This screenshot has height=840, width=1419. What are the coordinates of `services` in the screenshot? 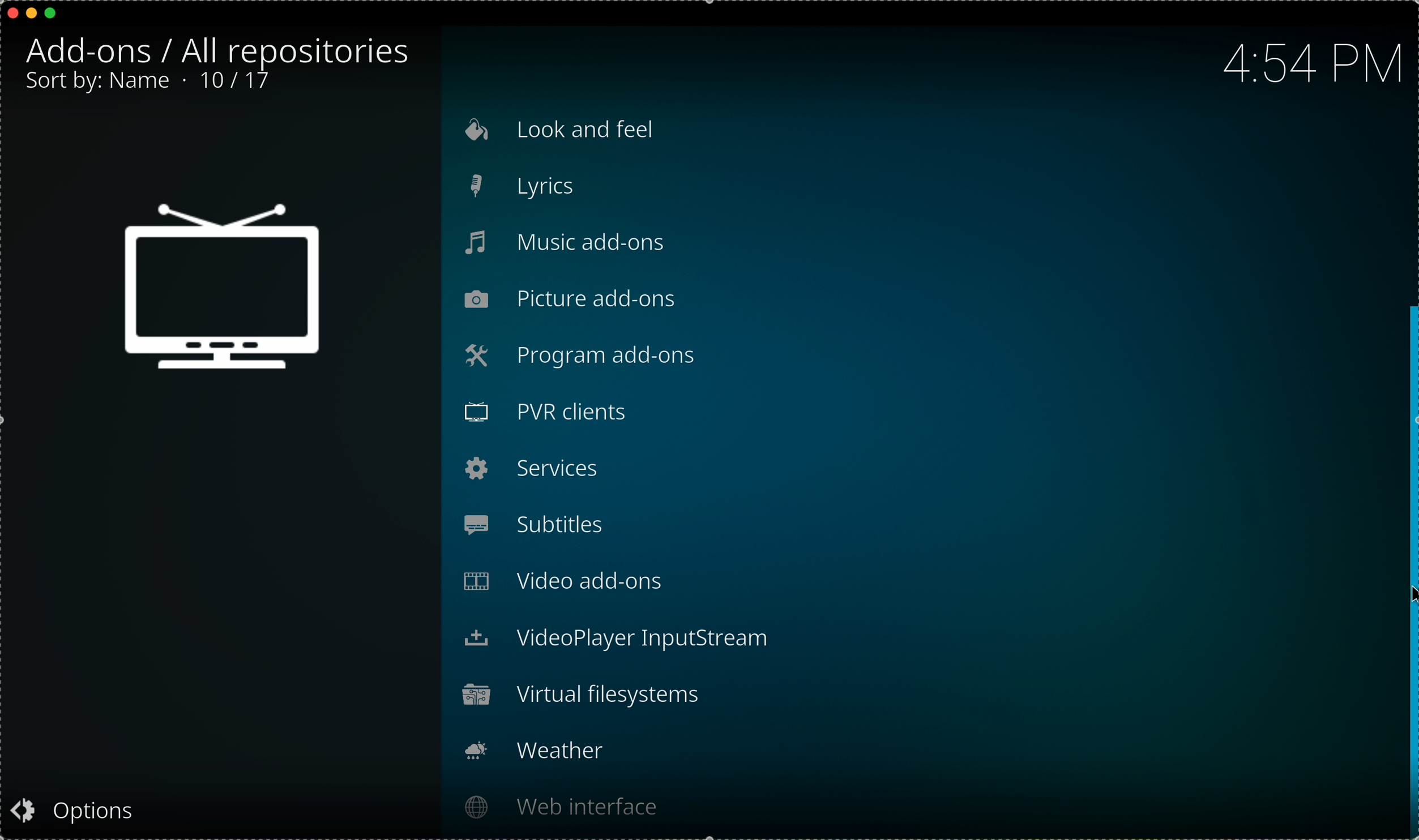 It's located at (533, 468).